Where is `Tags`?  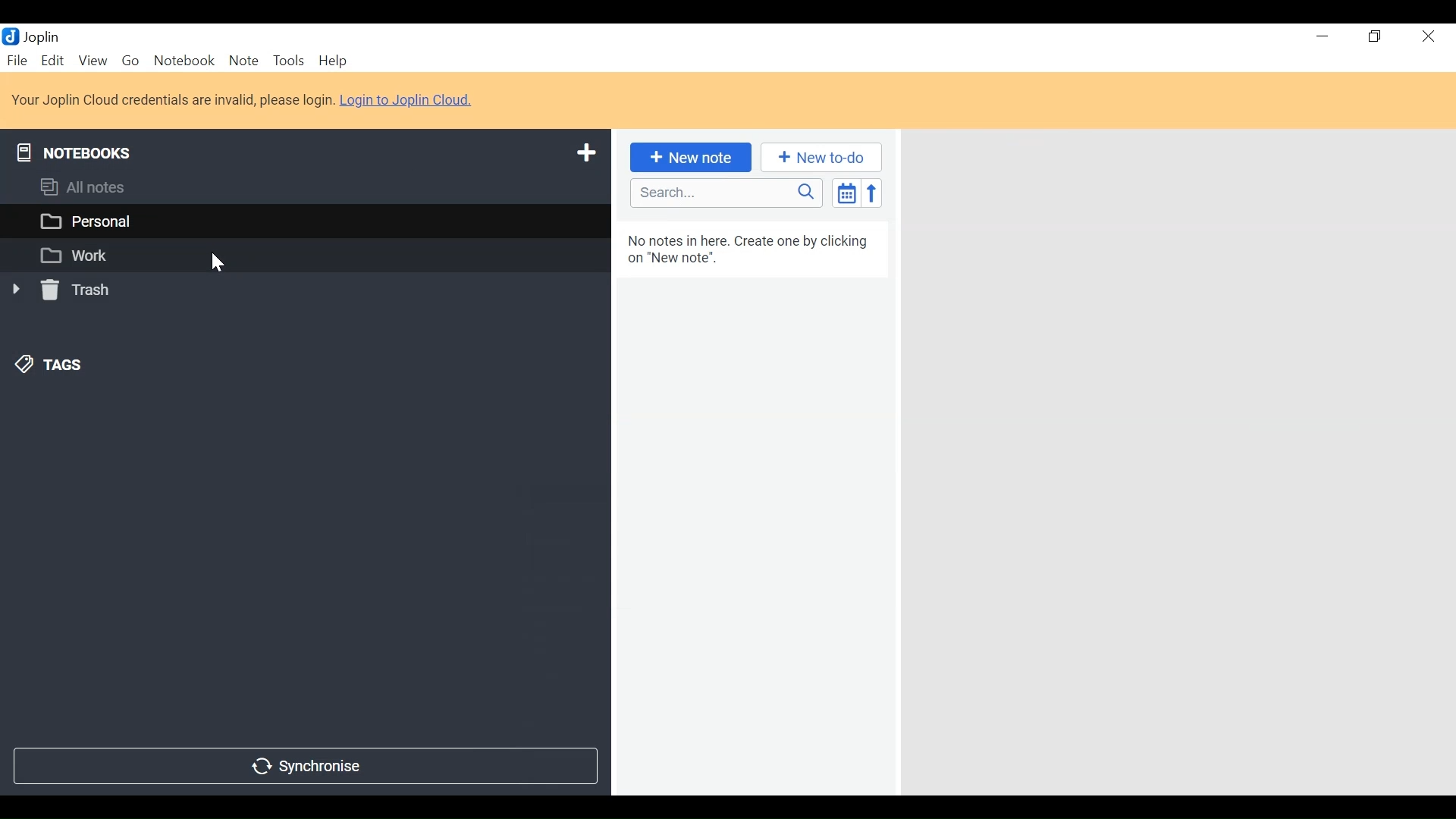 Tags is located at coordinates (46, 365).